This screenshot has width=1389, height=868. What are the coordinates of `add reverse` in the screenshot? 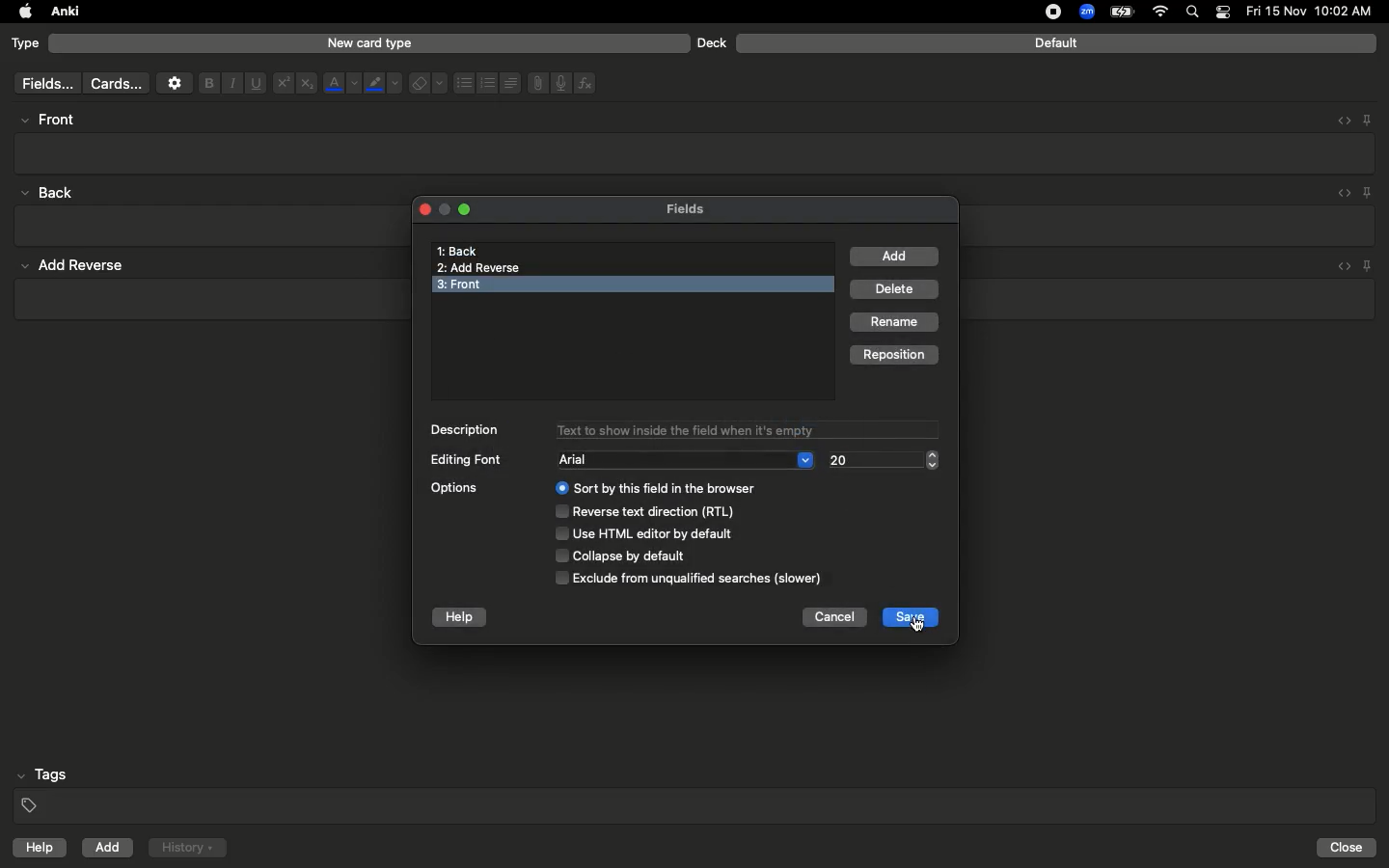 It's located at (483, 268).